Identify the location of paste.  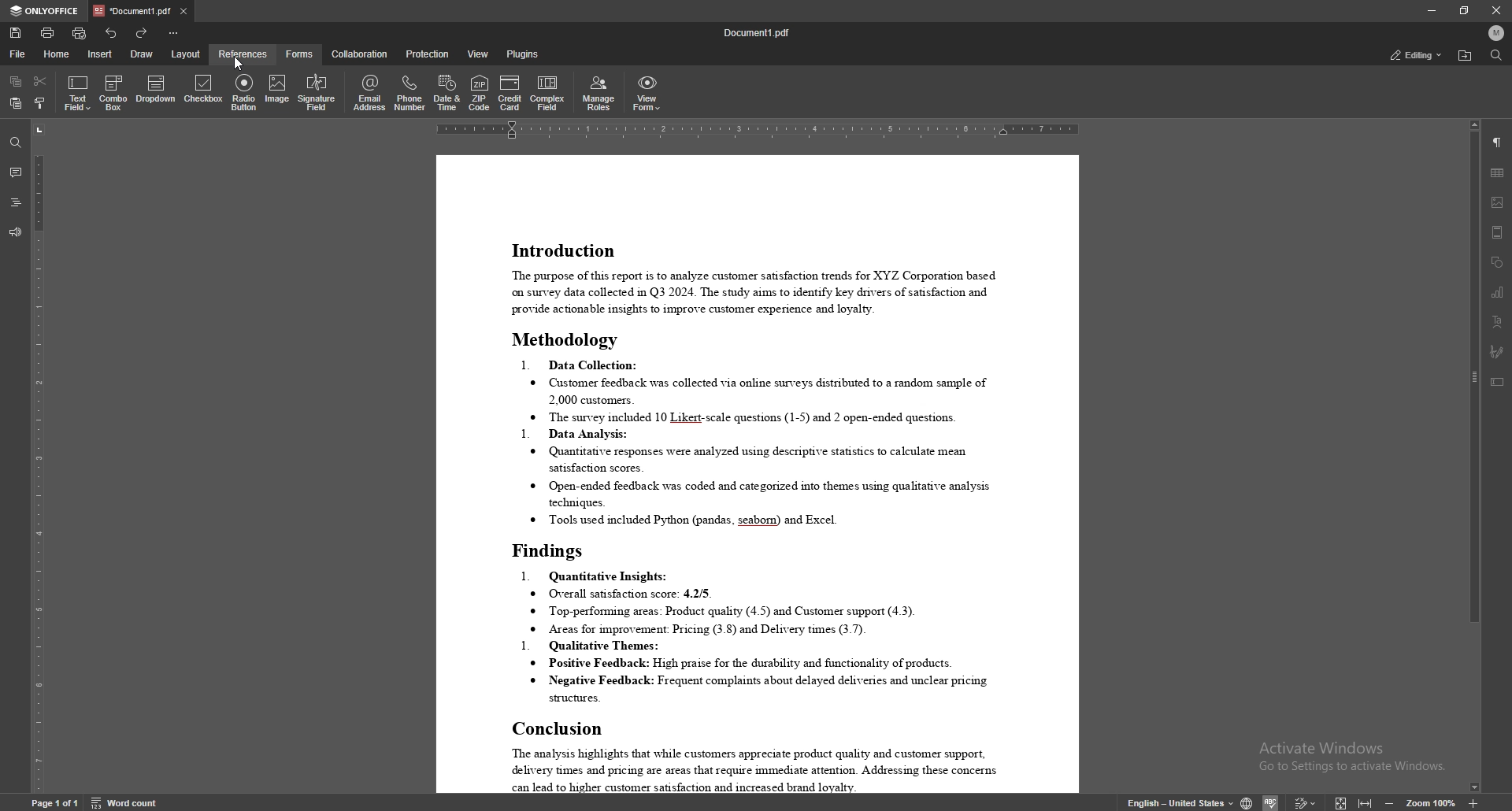
(16, 103).